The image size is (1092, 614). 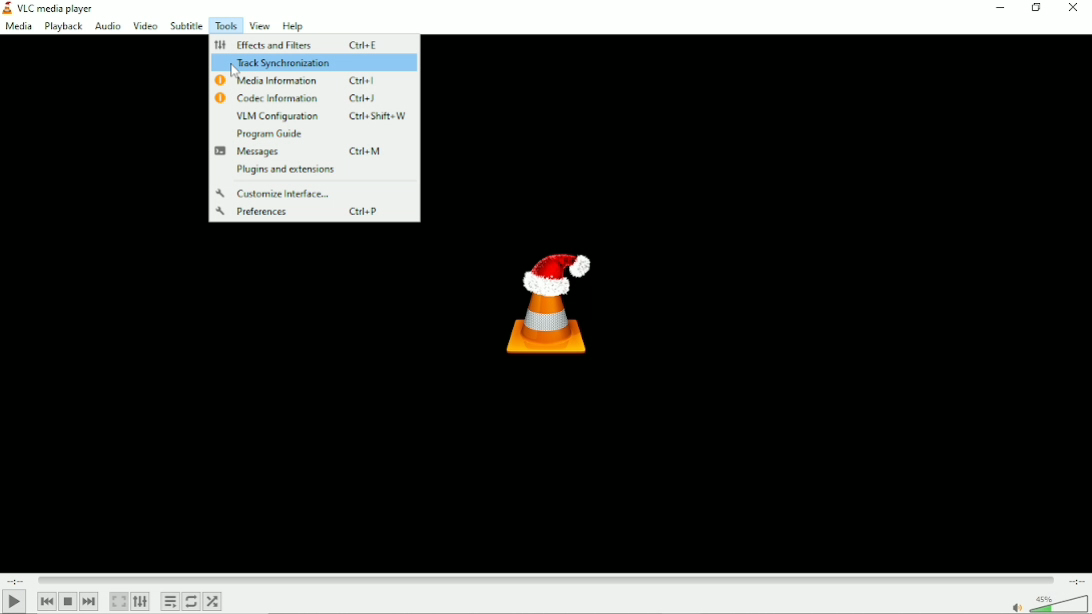 What do you see at coordinates (999, 9) in the screenshot?
I see `Minimize` at bounding box center [999, 9].